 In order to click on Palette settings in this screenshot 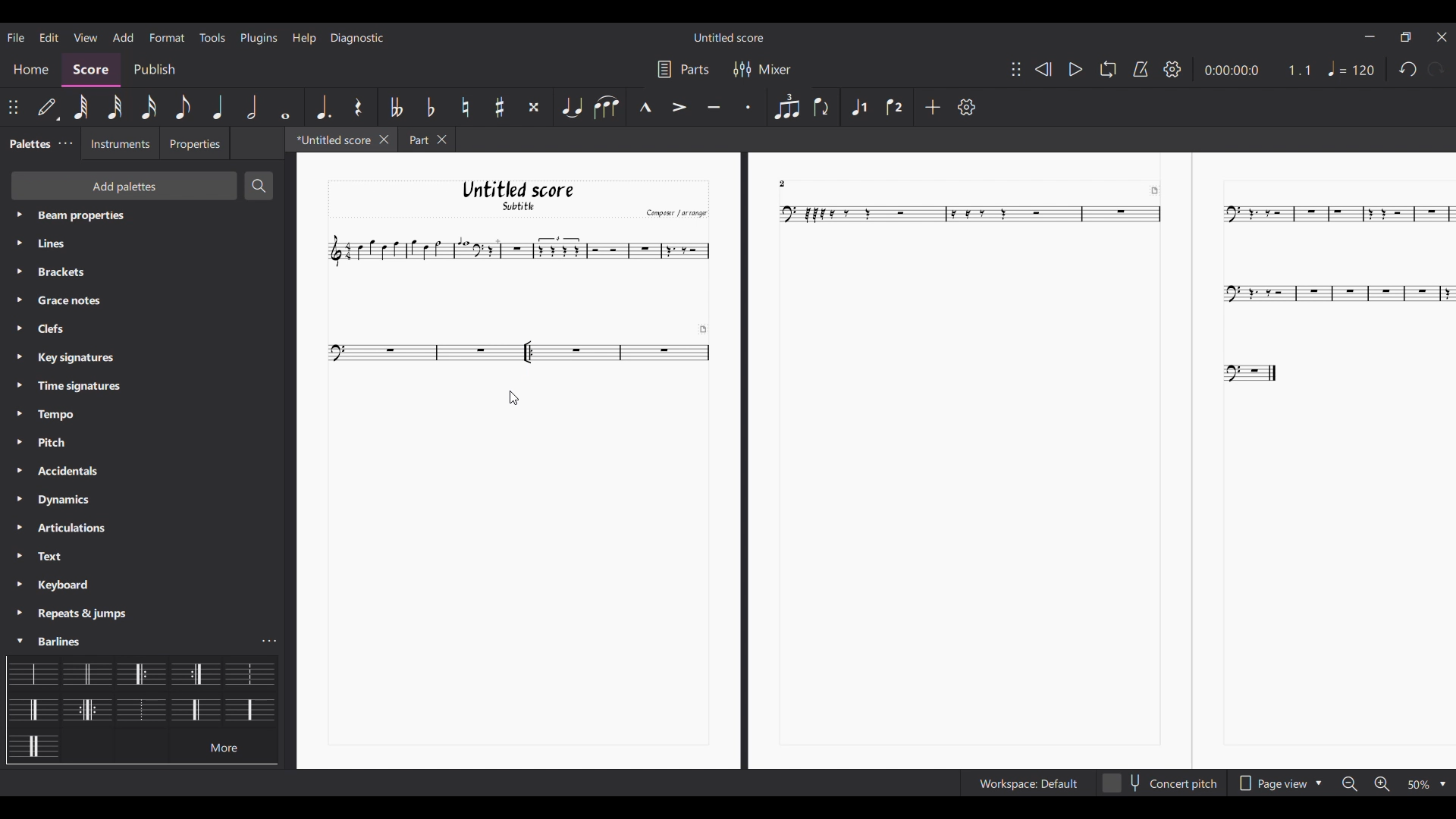, I will do `click(84, 243)`.